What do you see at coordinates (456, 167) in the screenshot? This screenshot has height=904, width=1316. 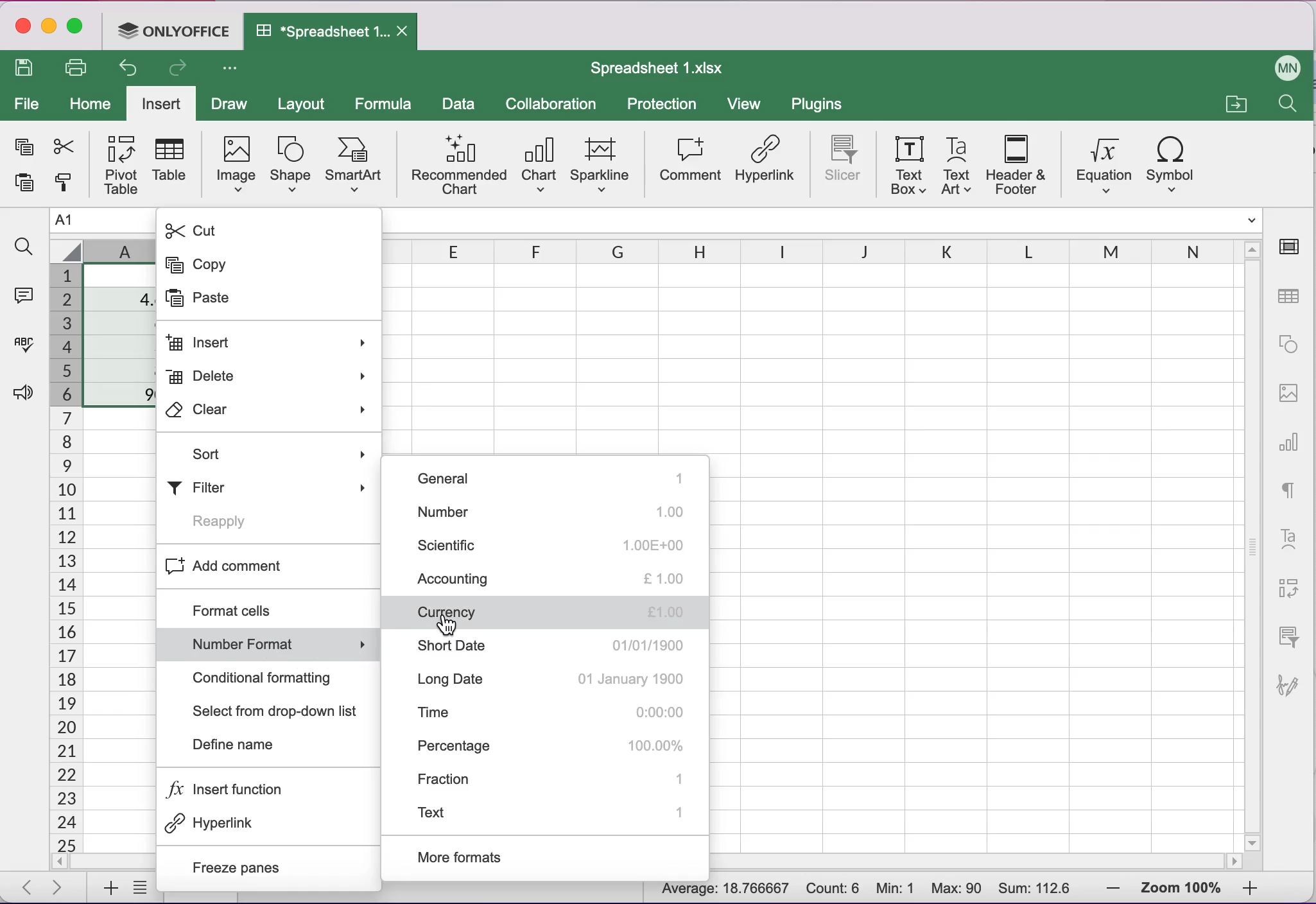 I see `recommended chart` at bounding box center [456, 167].